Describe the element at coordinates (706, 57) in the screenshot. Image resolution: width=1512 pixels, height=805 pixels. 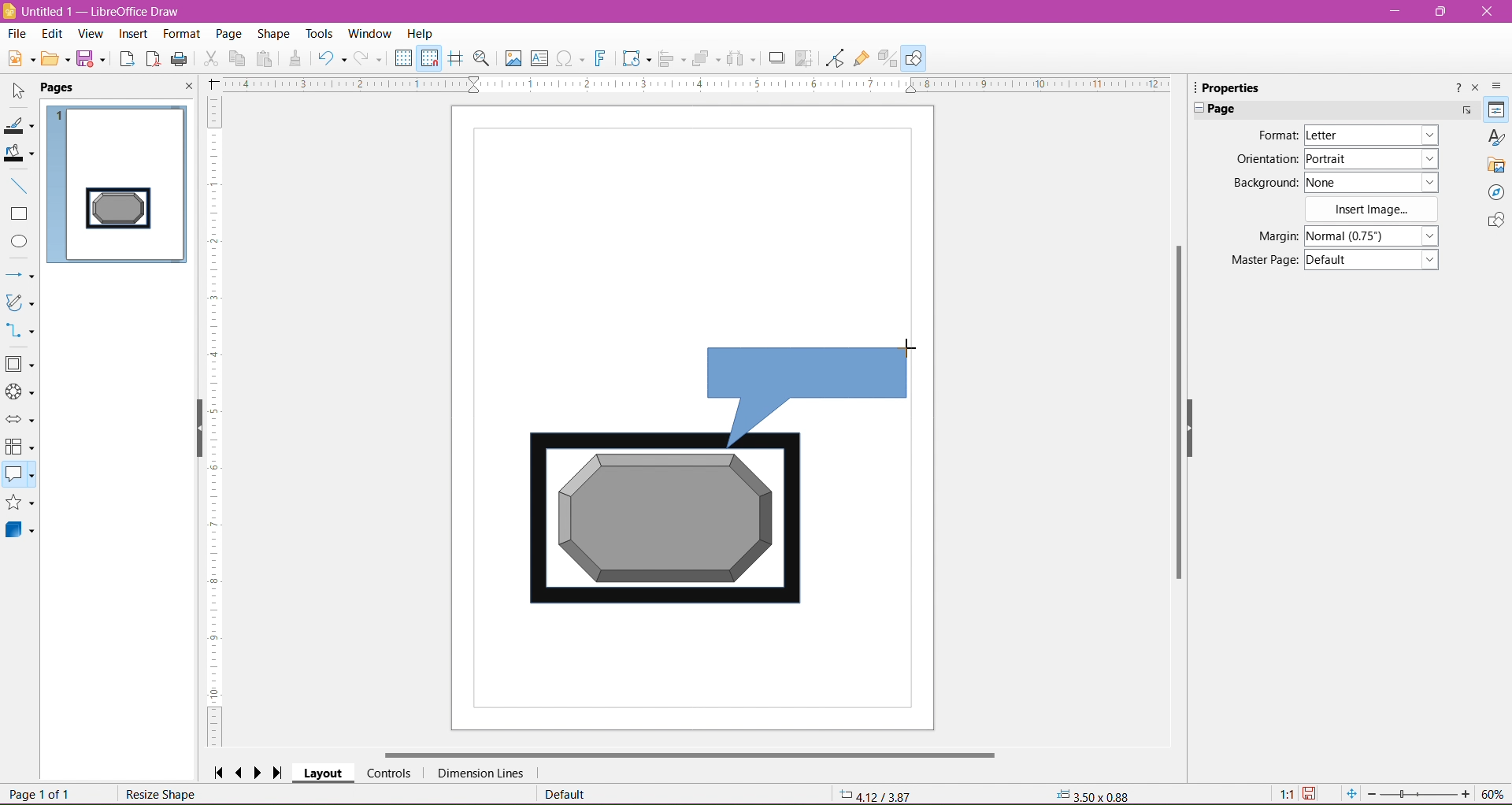
I see `Arrange` at that location.